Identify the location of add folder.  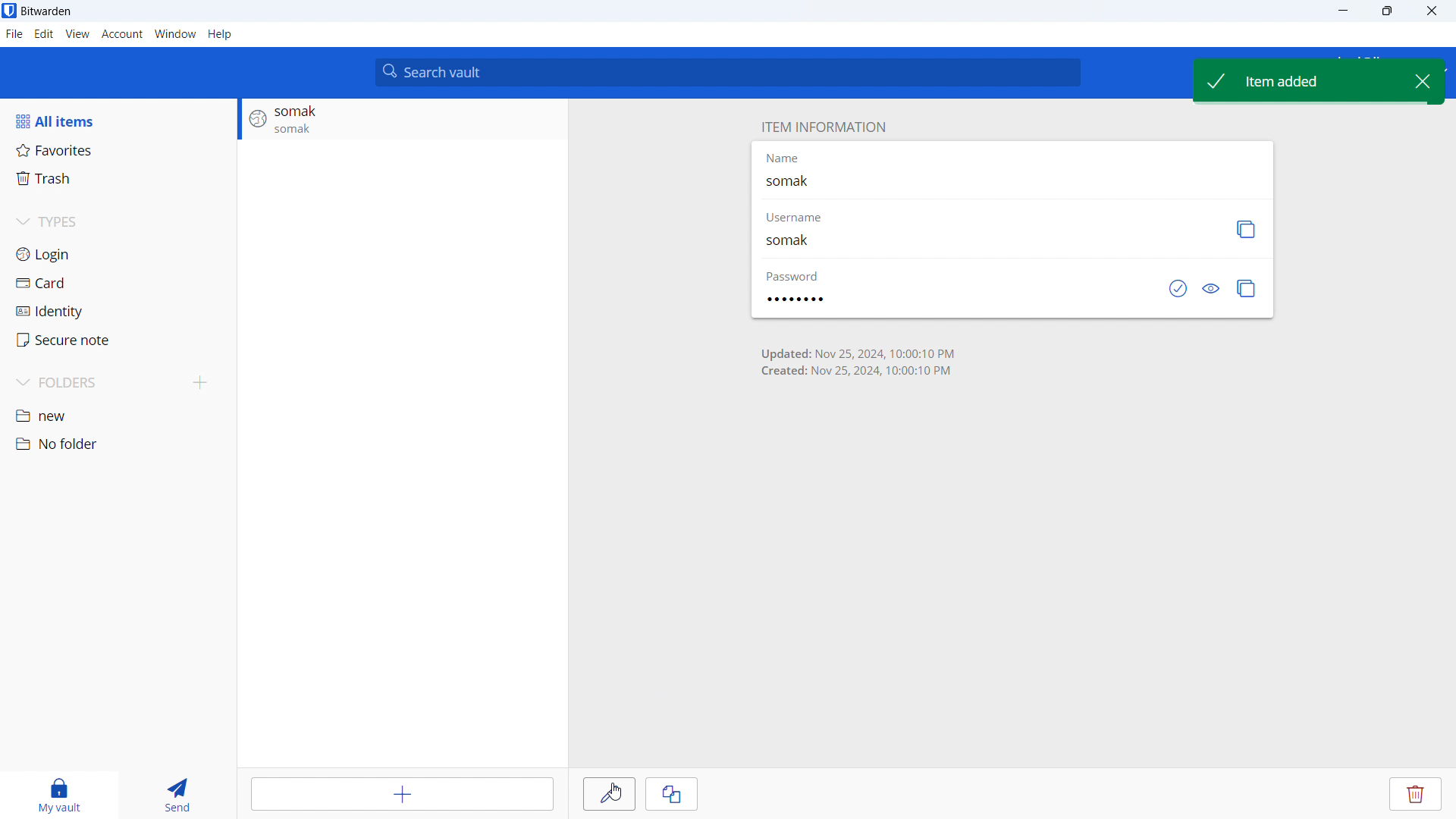
(200, 384).